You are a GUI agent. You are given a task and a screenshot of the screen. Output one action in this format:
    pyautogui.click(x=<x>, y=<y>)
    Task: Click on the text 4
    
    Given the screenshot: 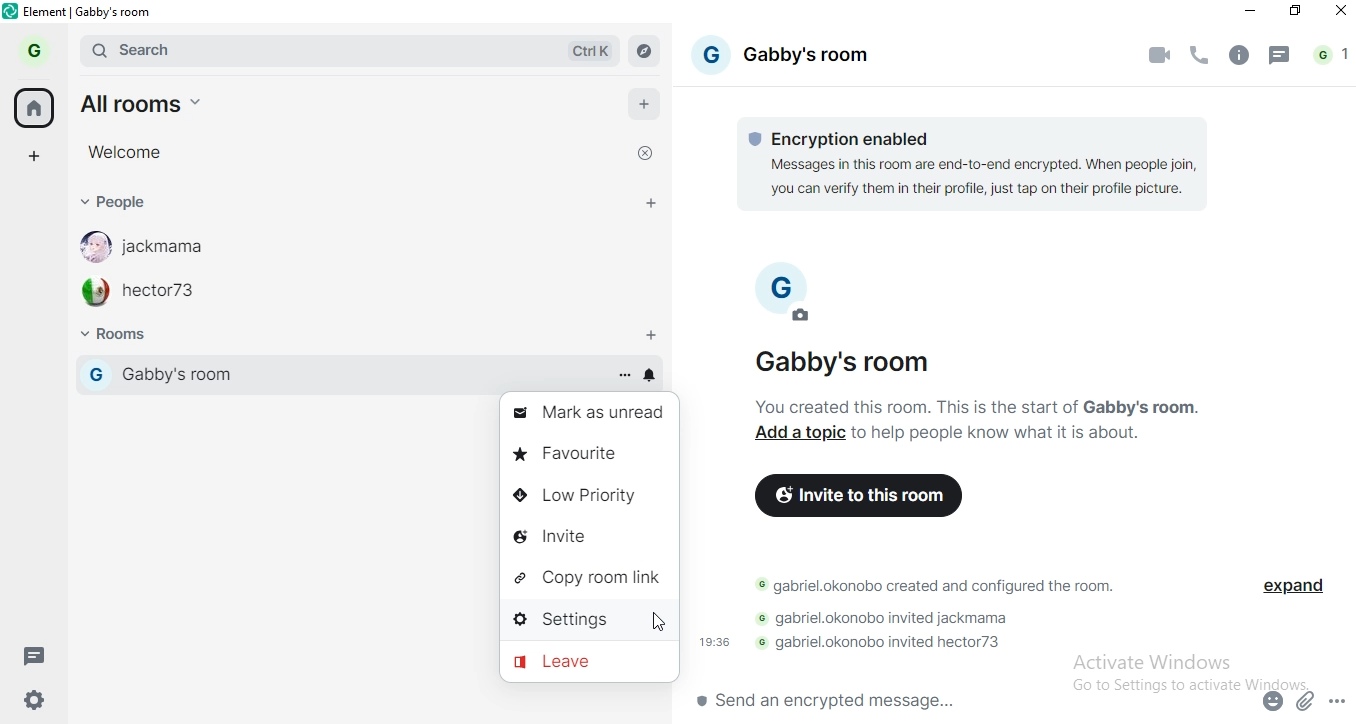 What is the action you would take?
    pyautogui.click(x=885, y=621)
    